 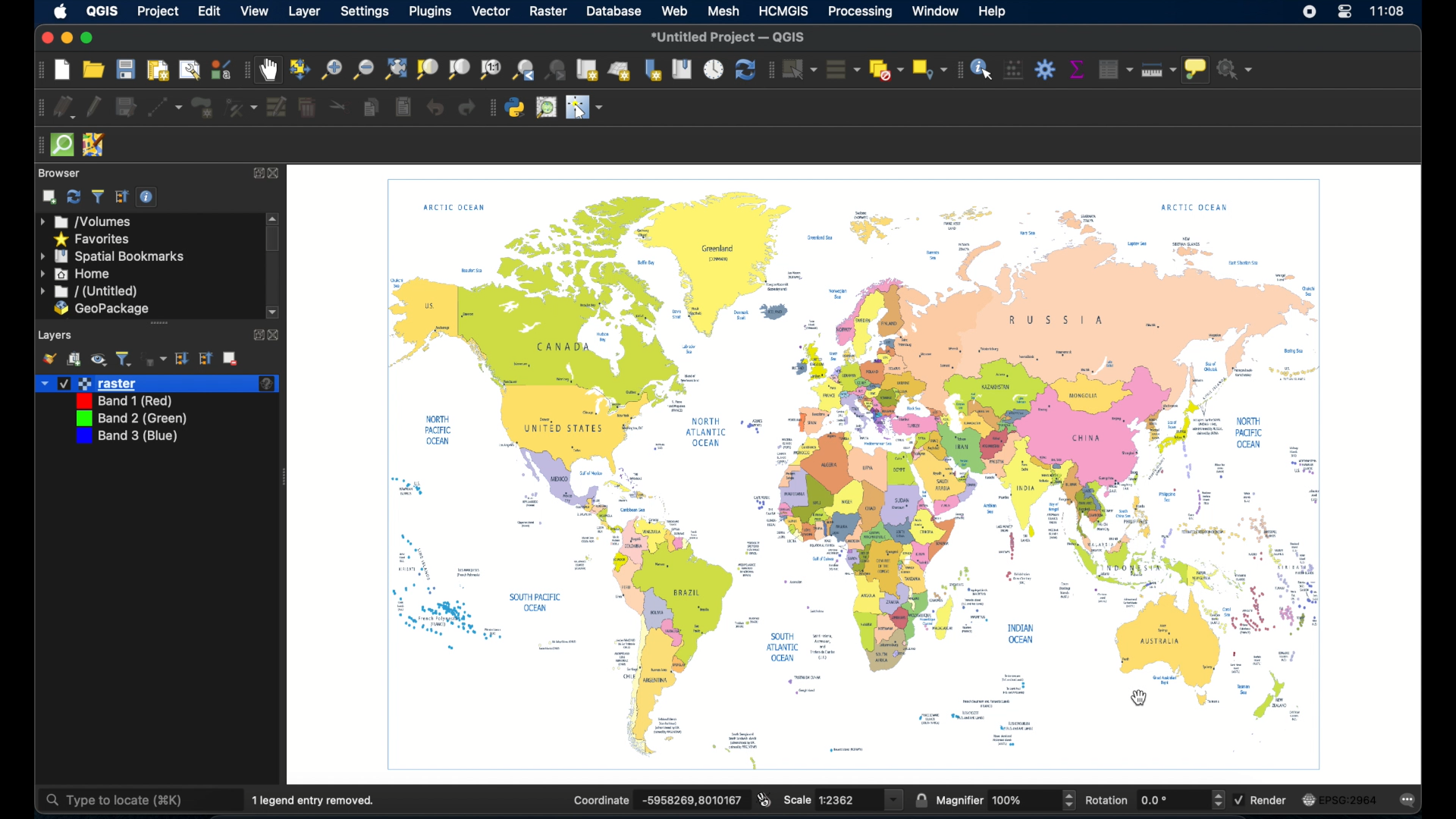 I want to click on style manager, so click(x=220, y=69).